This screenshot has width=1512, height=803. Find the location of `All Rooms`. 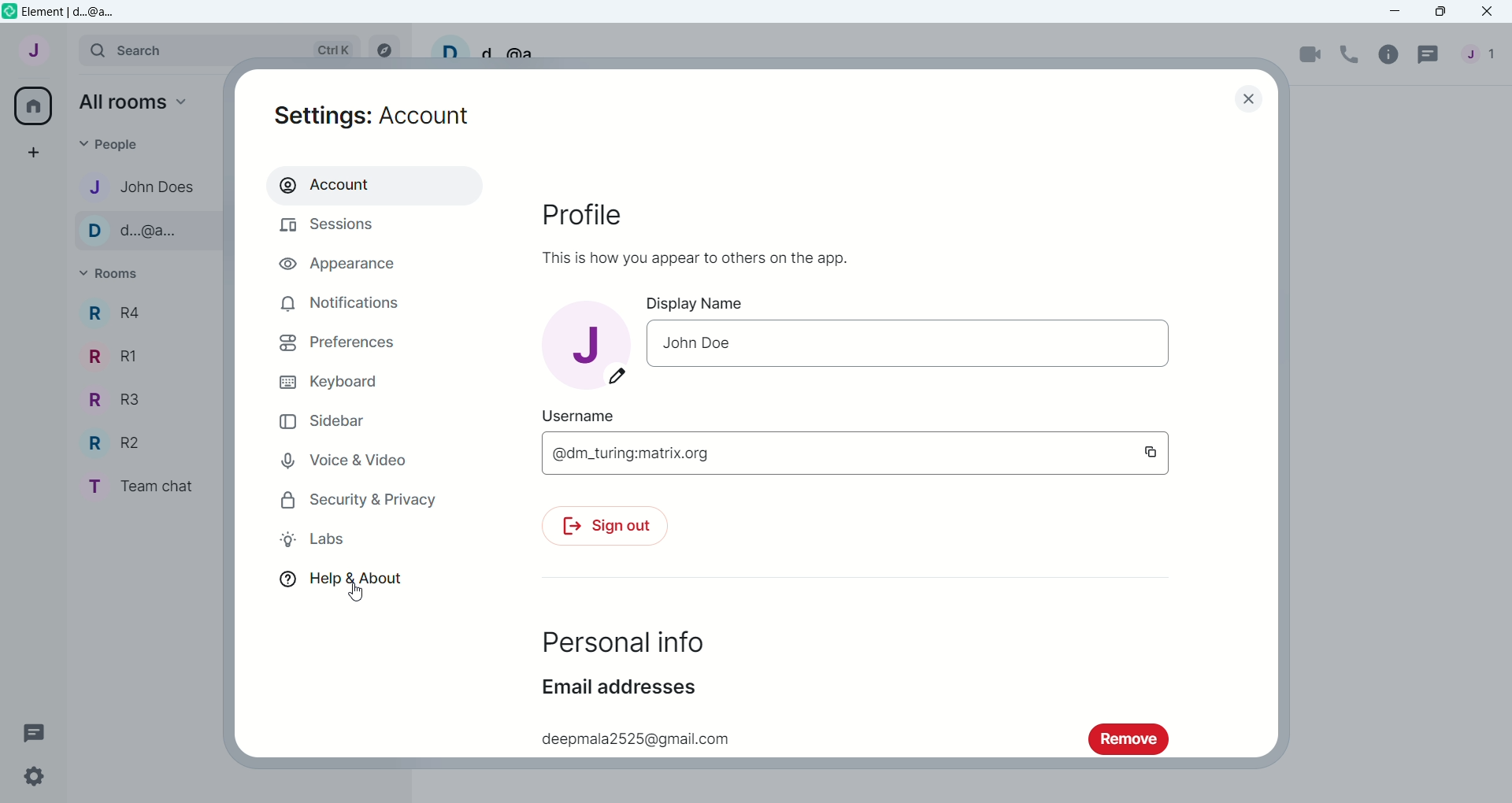

All Rooms is located at coordinates (31, 105).